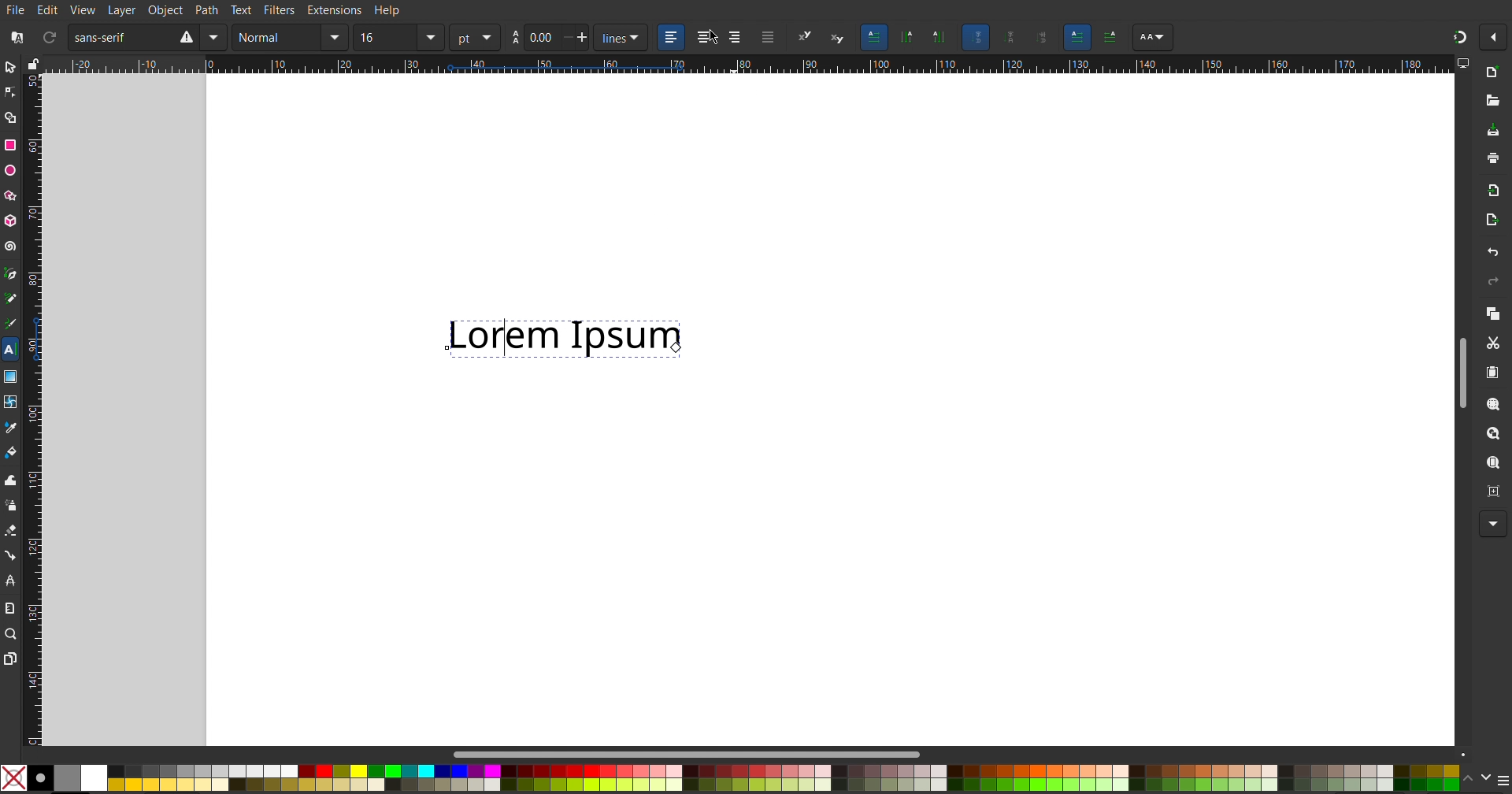 Image resolution: width=1512 pixels, height=794 pixels. What do you see at coordinates (1493, 35) in the screenshot?
I see `Options` at bounding box center [1493, 35].